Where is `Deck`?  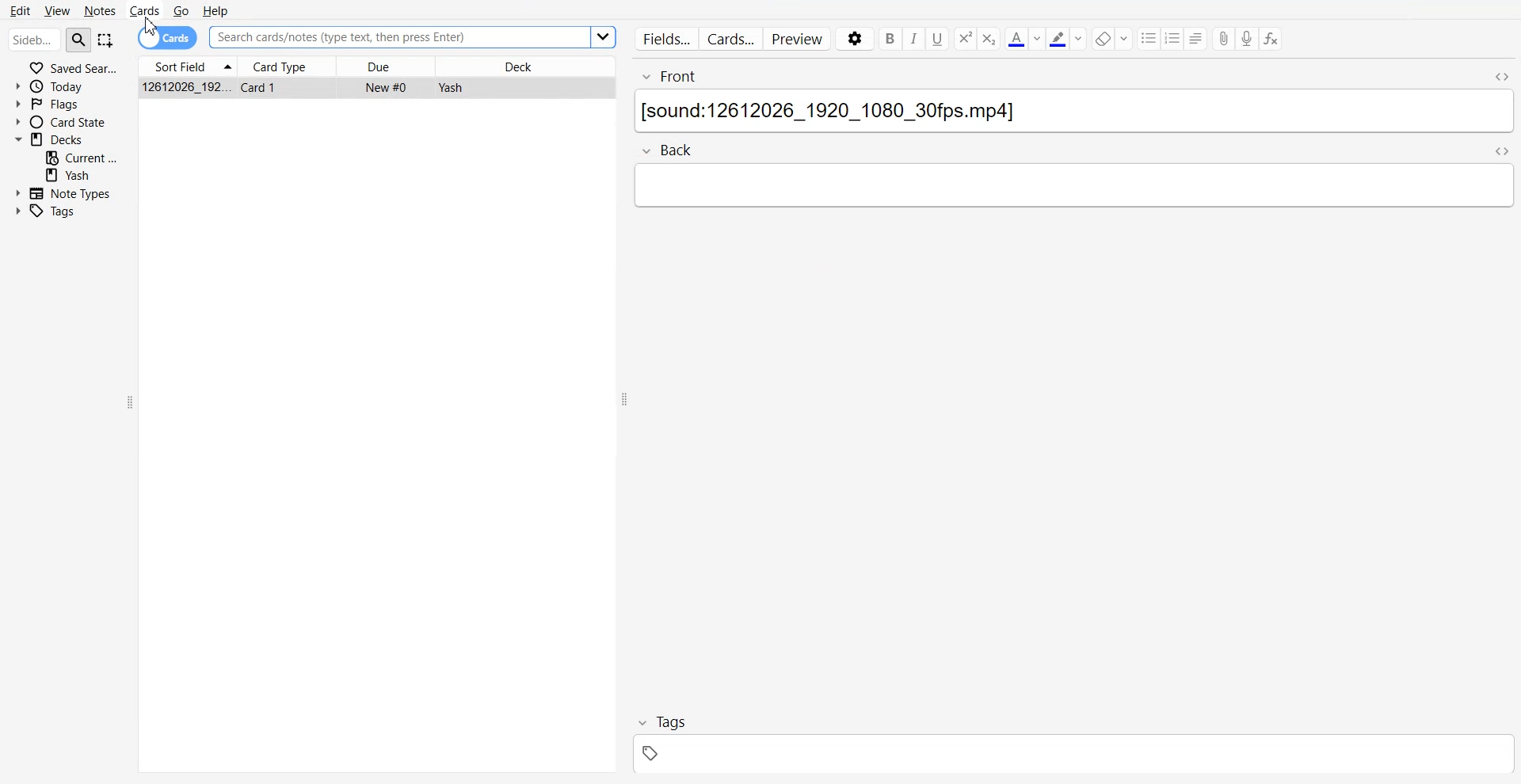
Deck is located at coordinates (66, 139).